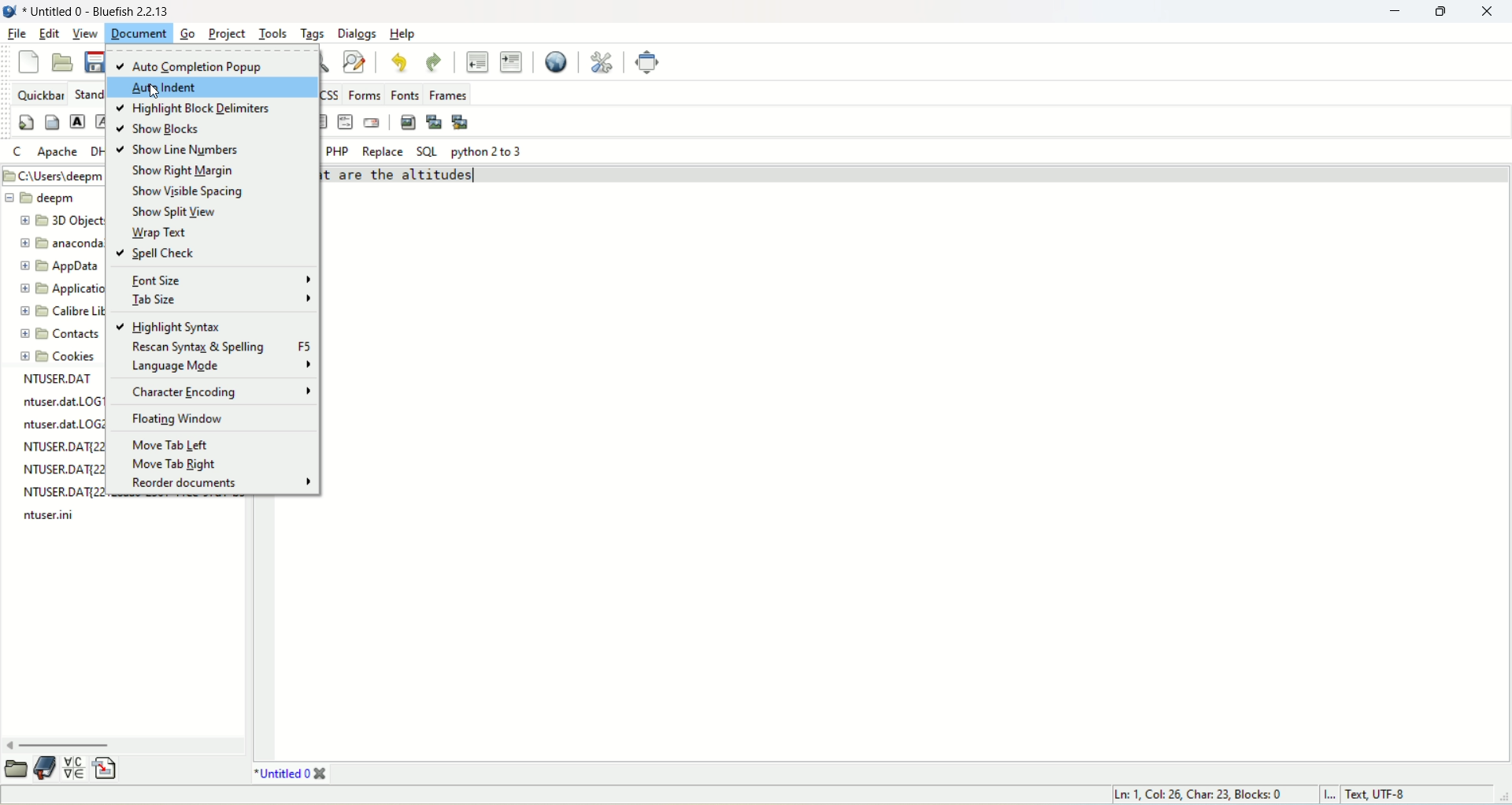 The height and width of the screenshot is (805, 1512). What do you see at coordinates (57, 451) in the screenshot?
I see `text` at bounding box center [57, 451].